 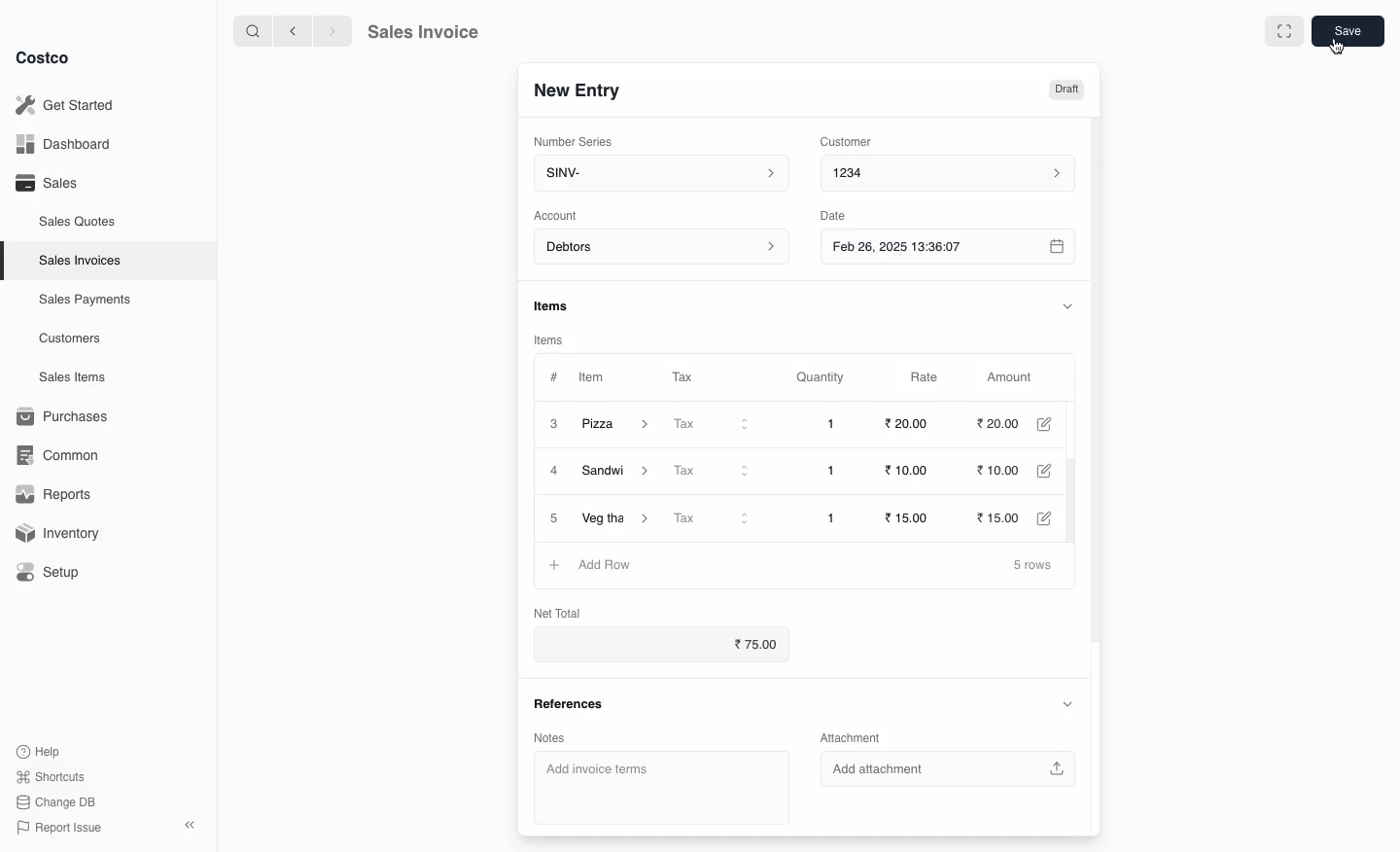 What do you see at coordinates (558, 305) in the screenshot?
I see `Items` at bounding box center [558, 305].